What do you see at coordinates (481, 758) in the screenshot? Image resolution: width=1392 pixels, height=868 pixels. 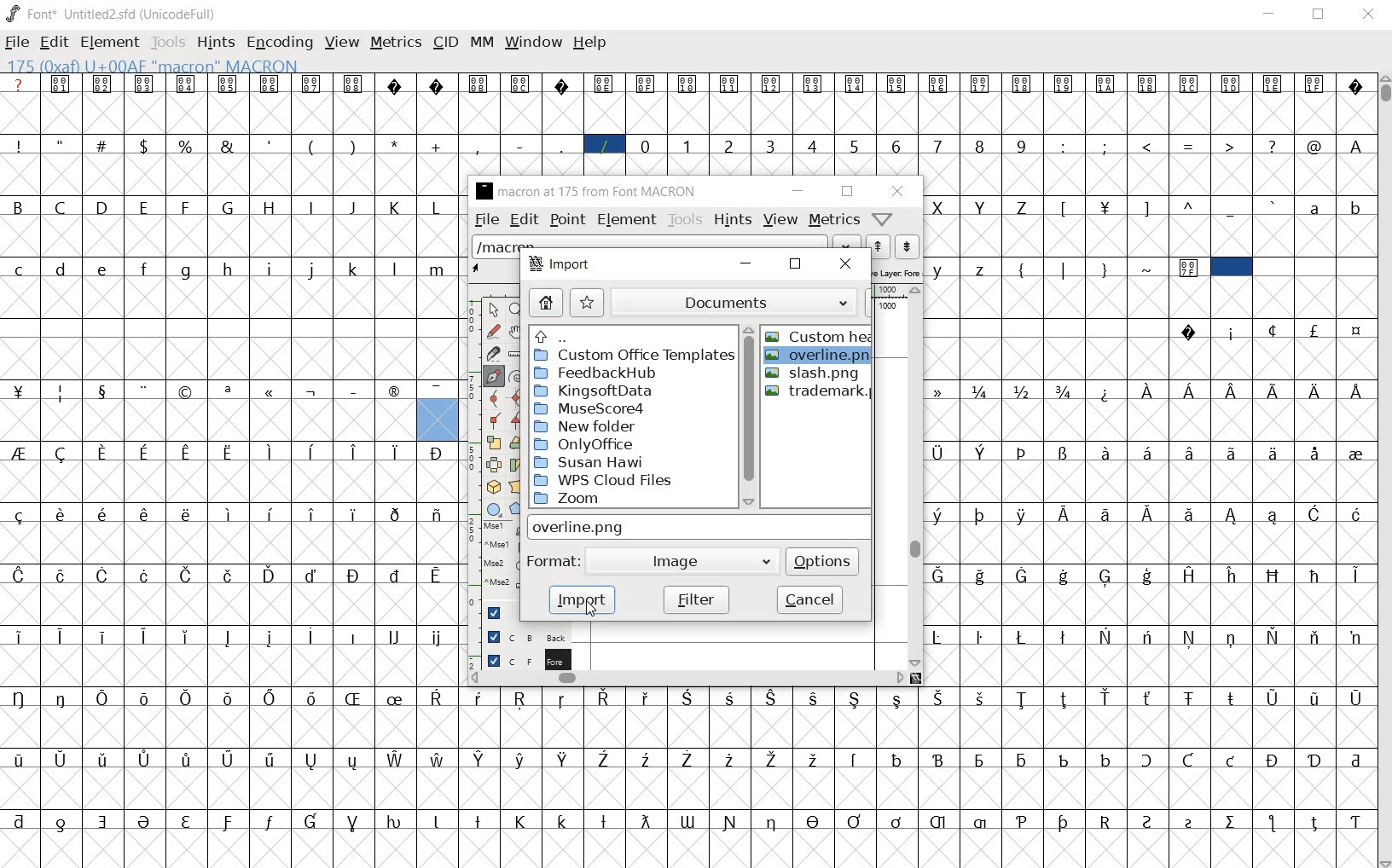 I see `Symbol` at bounding box center [481, 758].